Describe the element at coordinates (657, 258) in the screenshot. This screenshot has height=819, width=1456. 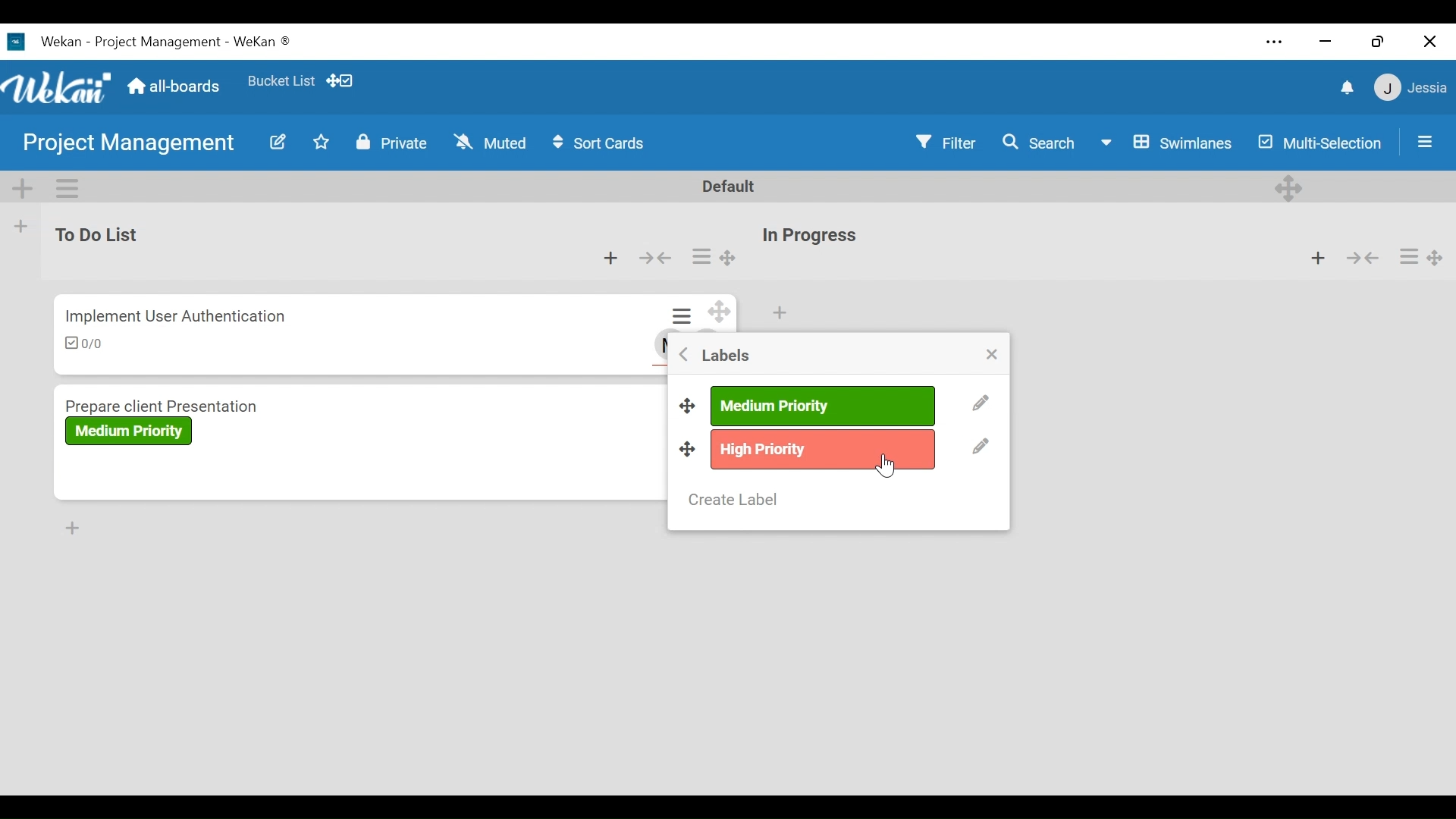
I see `Collapse` at that location.